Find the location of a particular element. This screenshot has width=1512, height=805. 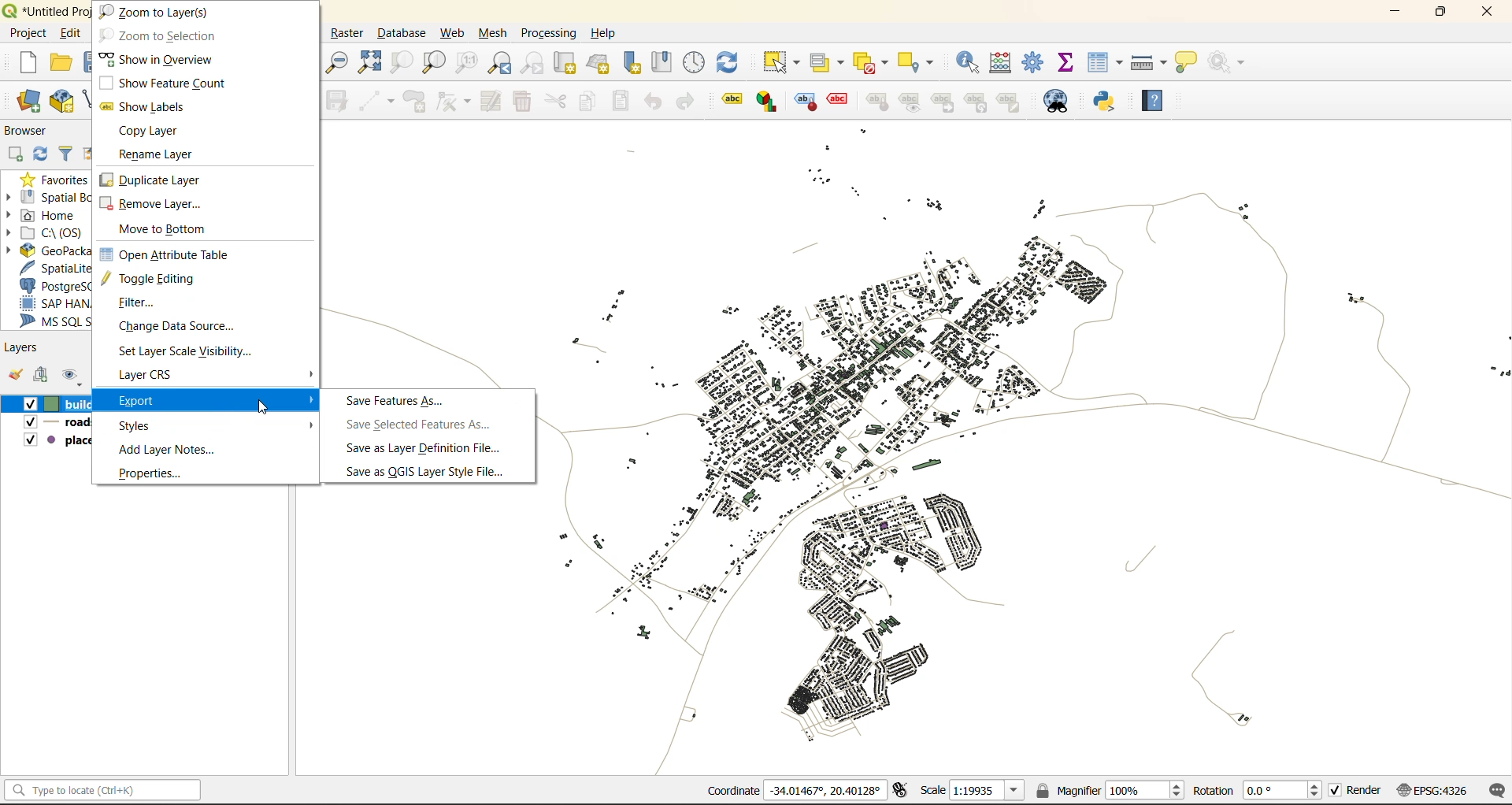

open data source manager is located at coordinates (32, 102).